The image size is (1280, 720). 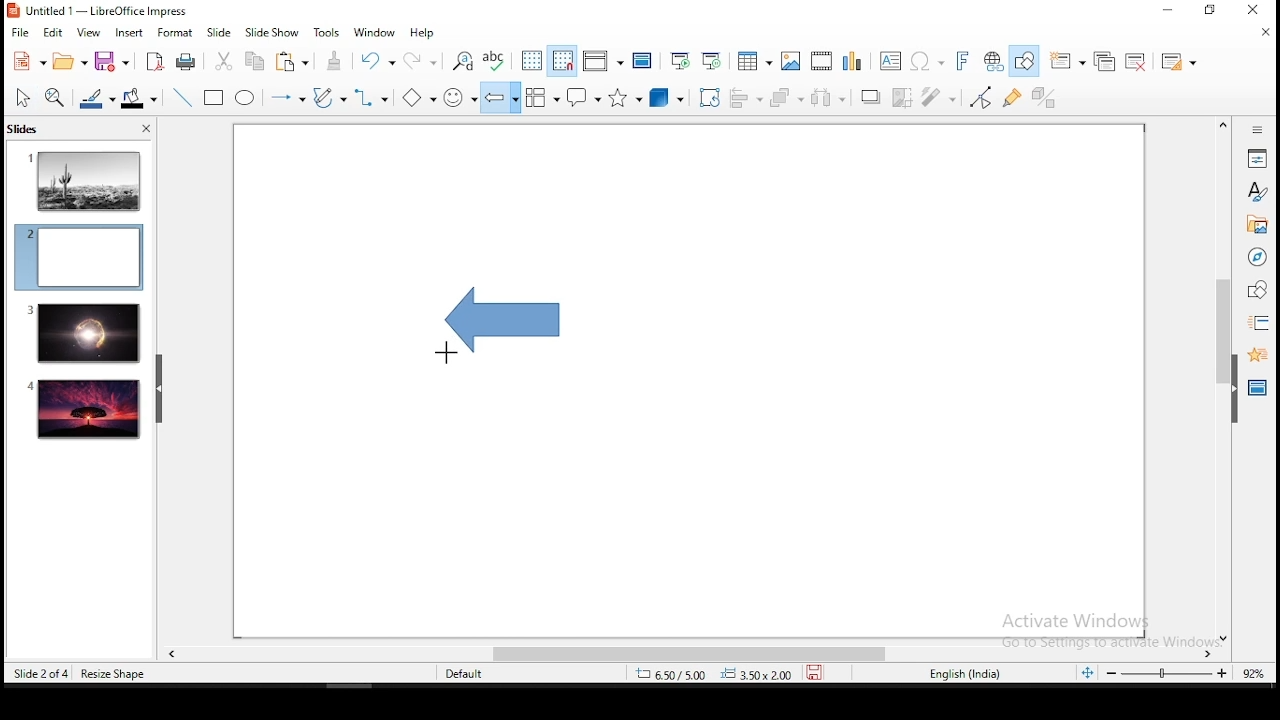 I want to click on slides, so click(x=28, y=131).